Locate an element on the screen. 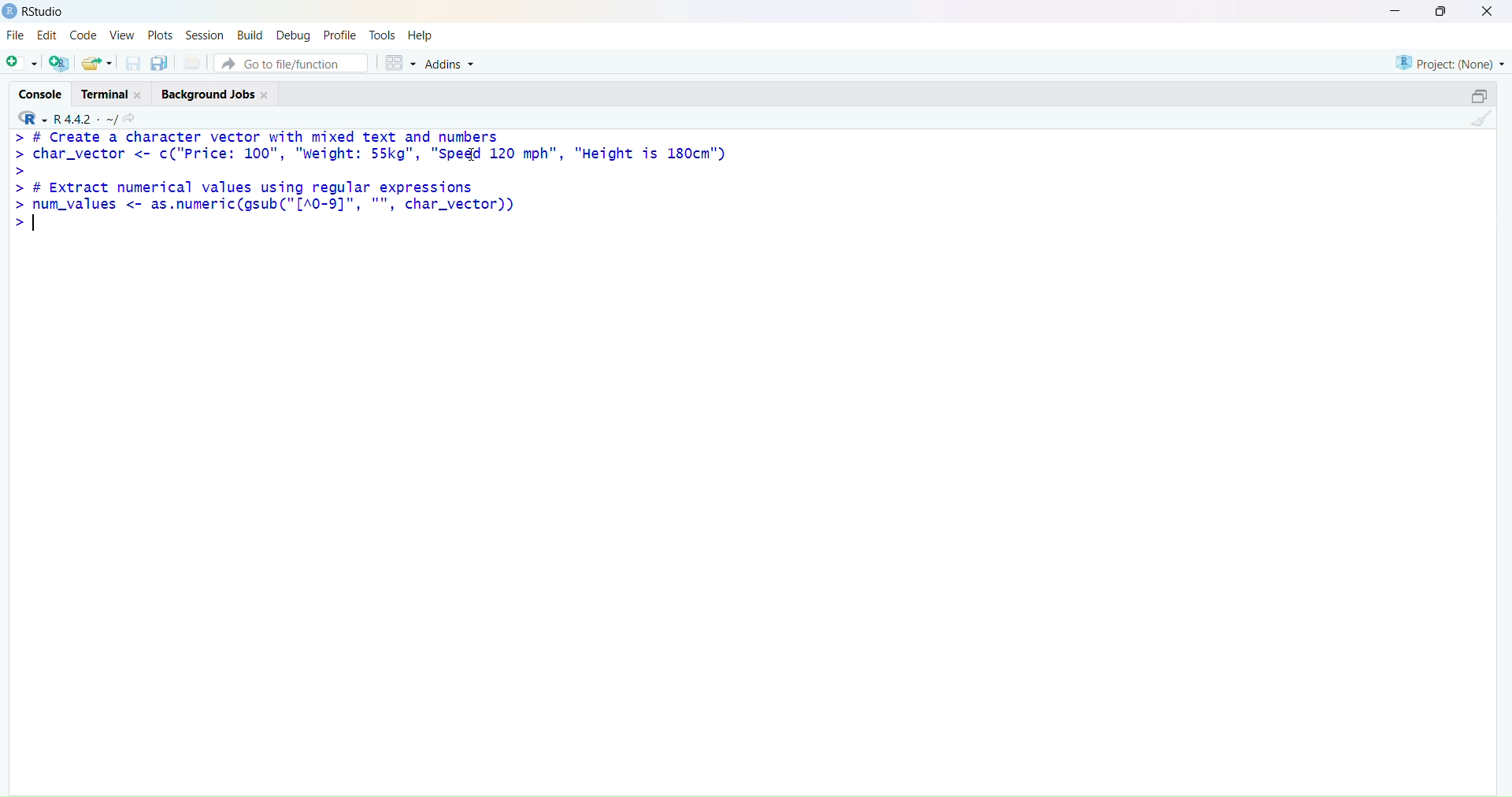 Image resolution: width=1512 pixels, height=797 pixels. close is located at coordinates (1488, 11).